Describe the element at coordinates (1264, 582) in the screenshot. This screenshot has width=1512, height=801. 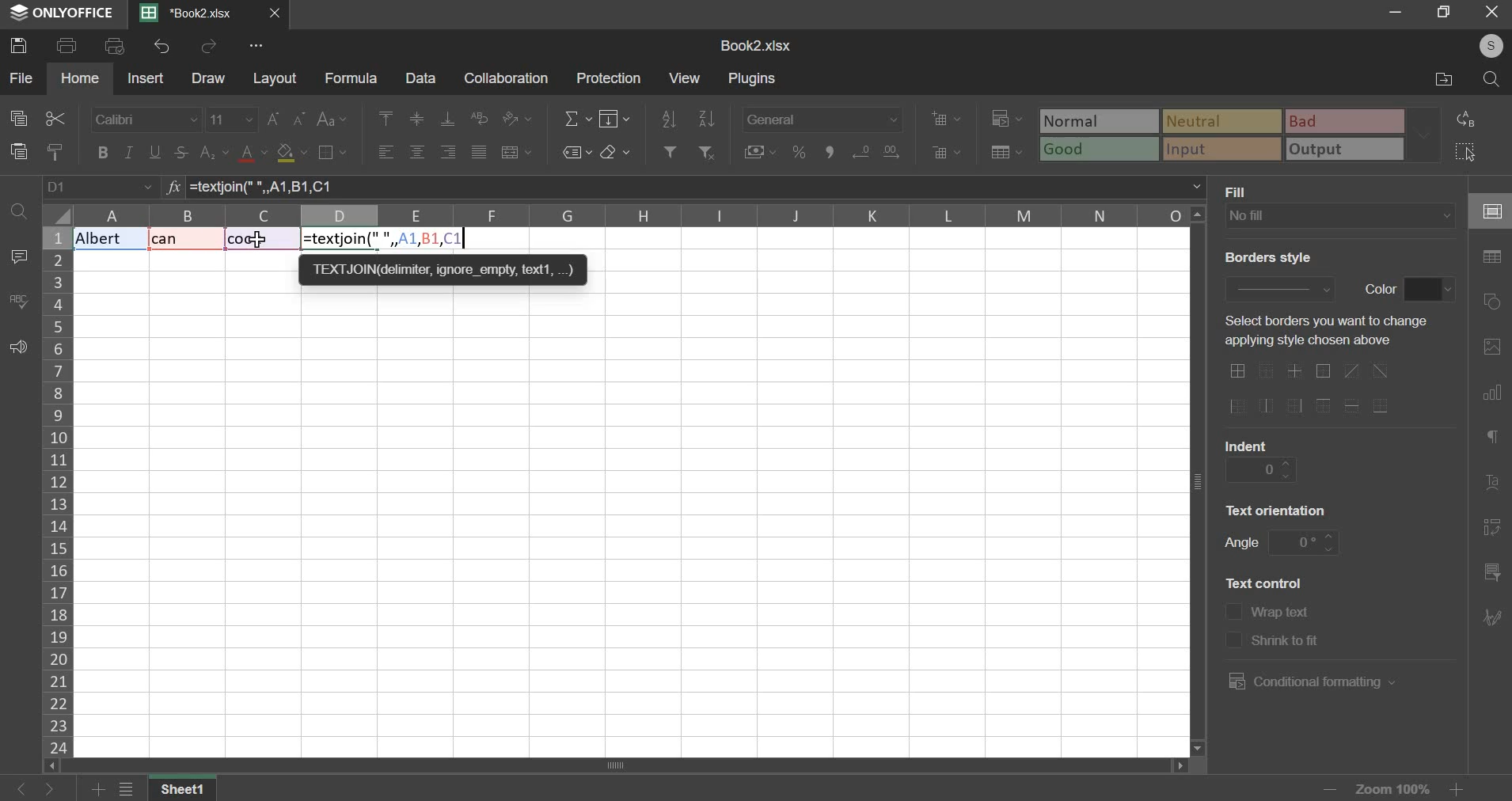
I see `text` at that location.